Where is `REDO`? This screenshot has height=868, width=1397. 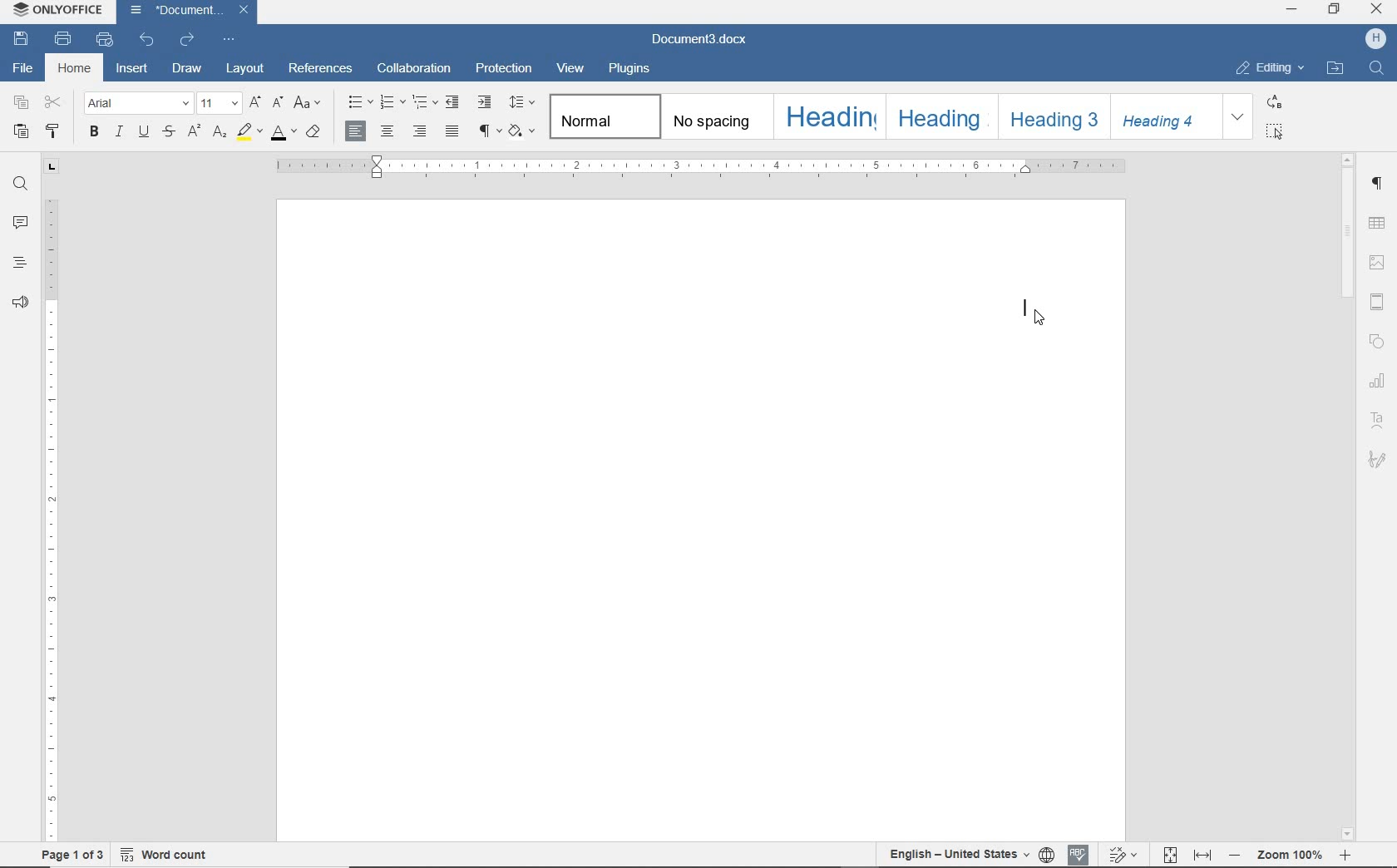 REDO is located at coordinates (188, 37).